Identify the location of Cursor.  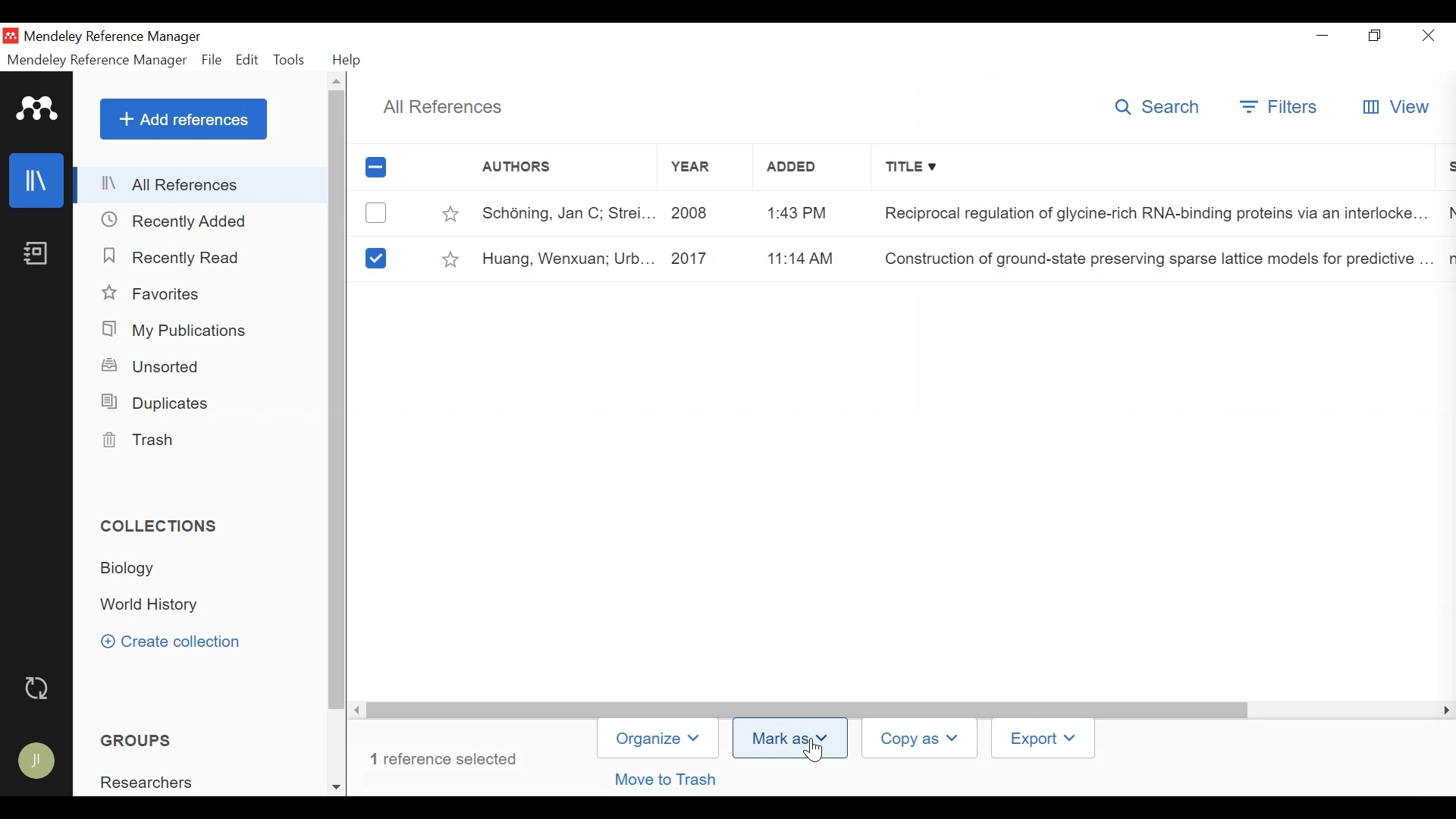
(815, 752).